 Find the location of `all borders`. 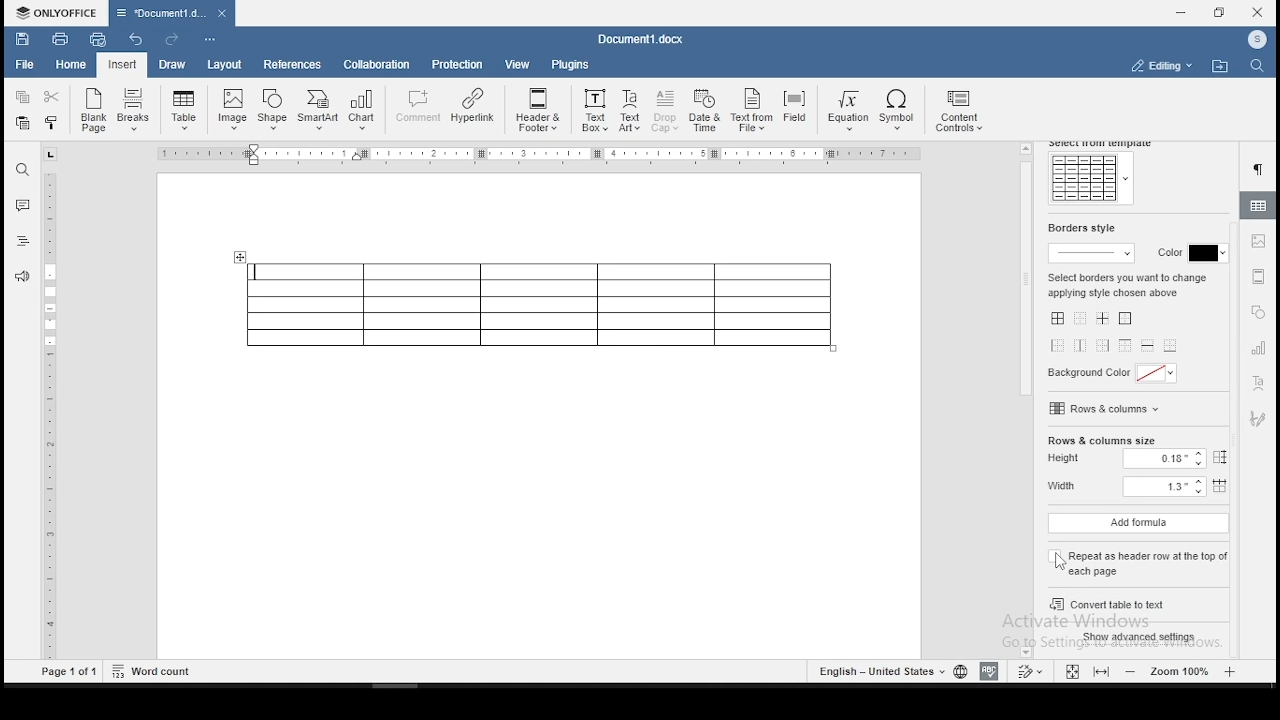

all borders is located at coordinates (1056, 319).